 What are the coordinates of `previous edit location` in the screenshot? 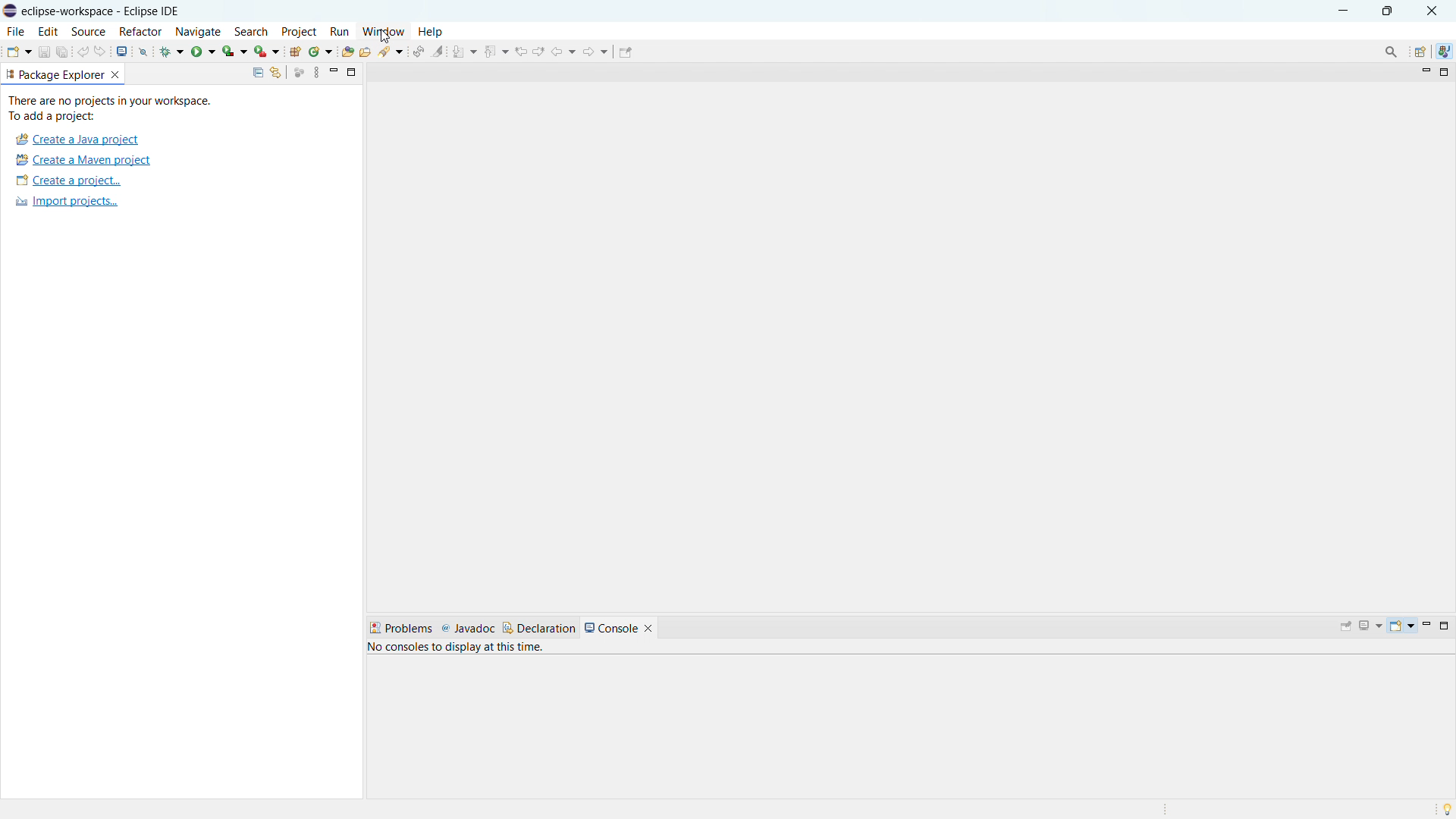 It's located at (521, 51).